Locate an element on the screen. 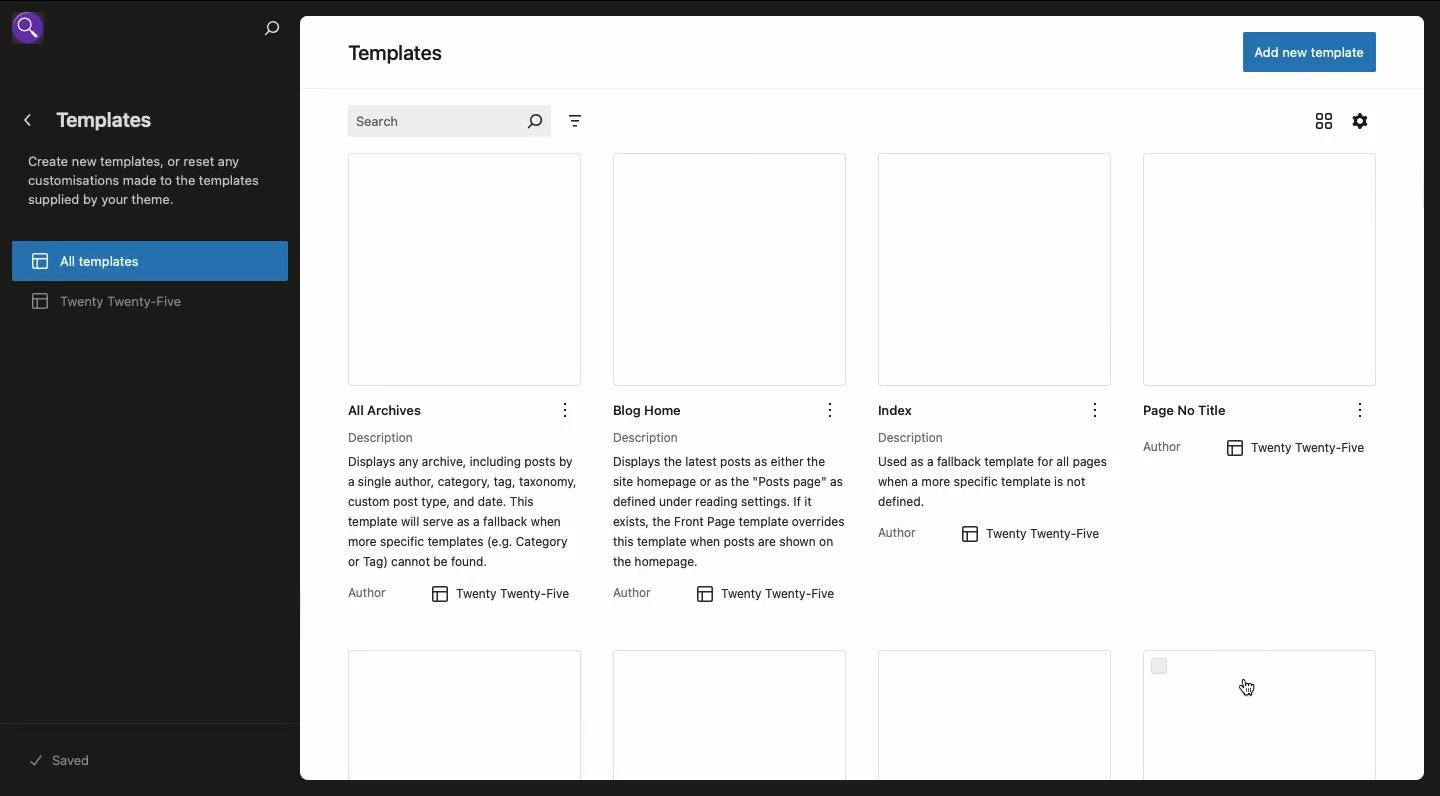 Image resolution: width=1440 pixels, height=796 pixels. Options is located at coordinates (569, 410).